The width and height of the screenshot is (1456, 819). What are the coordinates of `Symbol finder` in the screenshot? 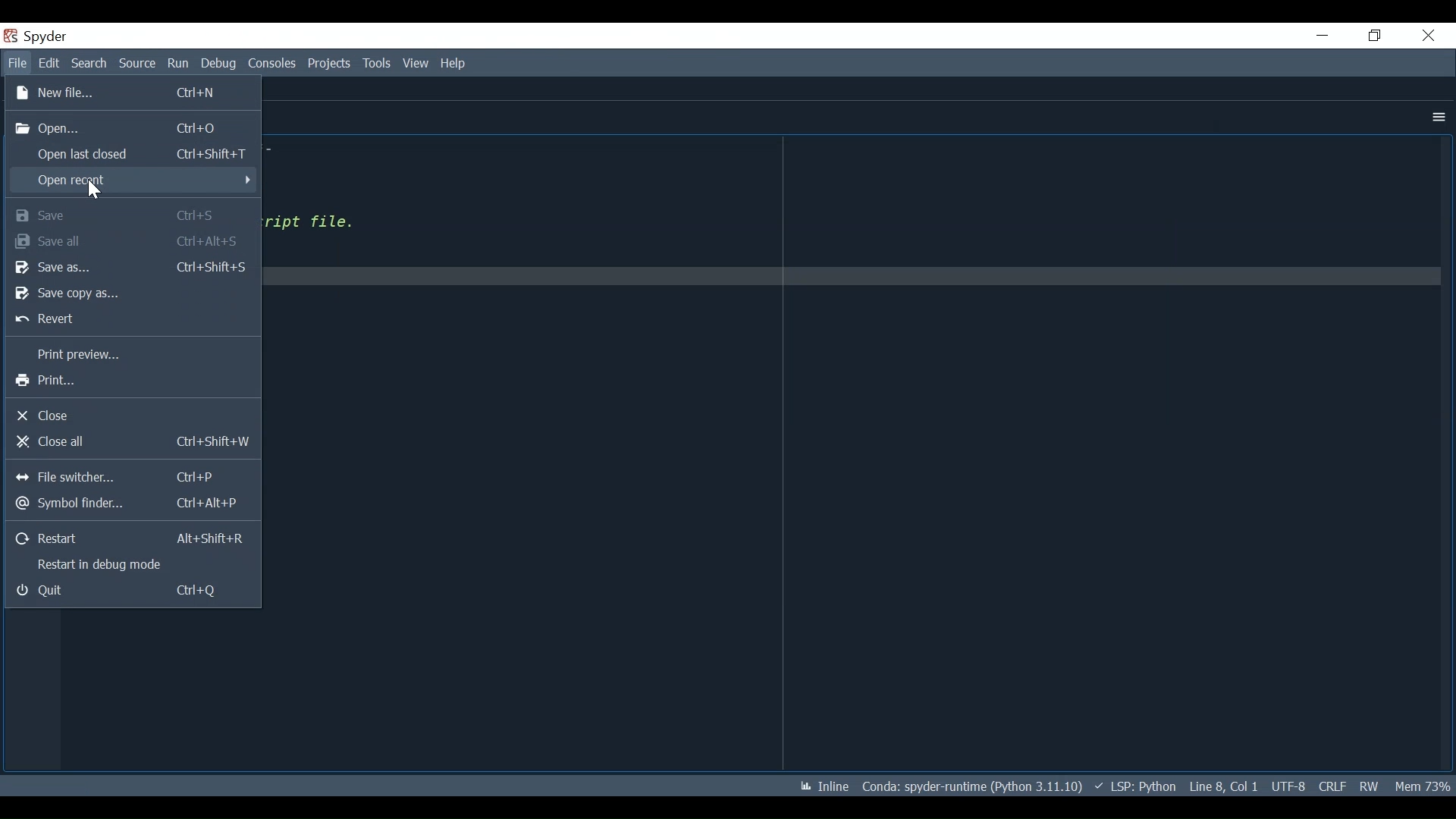 It's located at (129, 504).